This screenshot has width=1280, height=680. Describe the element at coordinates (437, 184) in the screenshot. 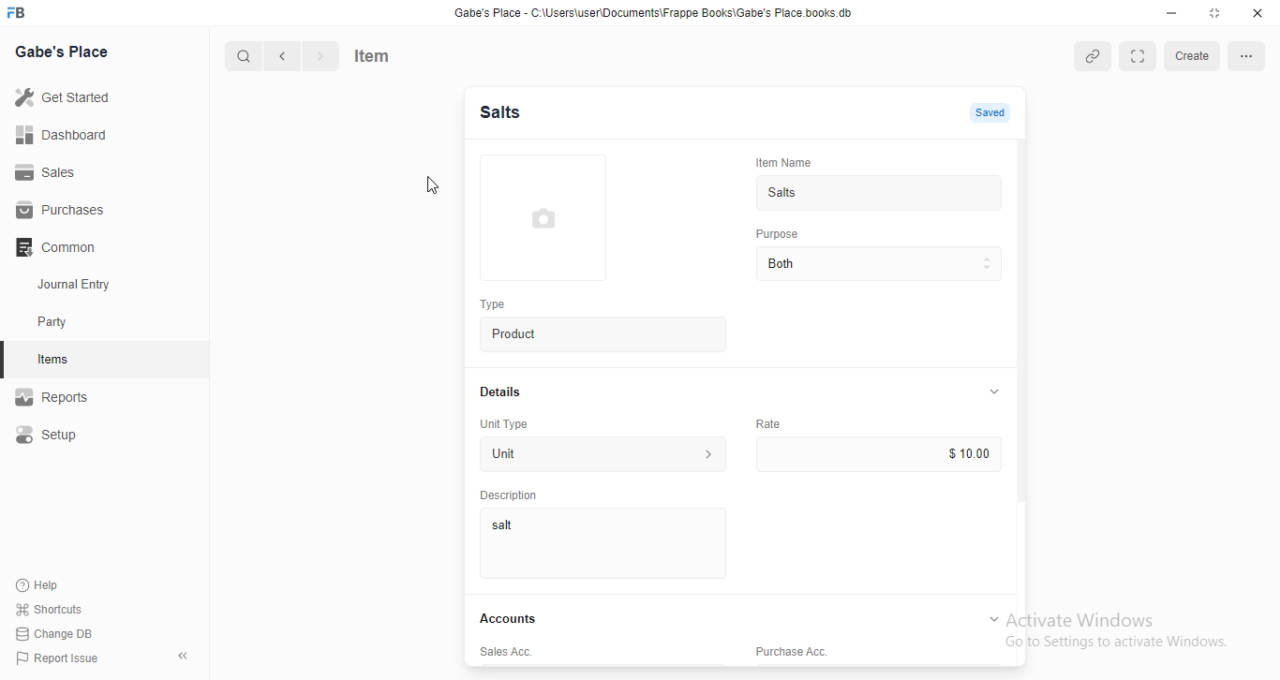

I see `cursor` at that location.